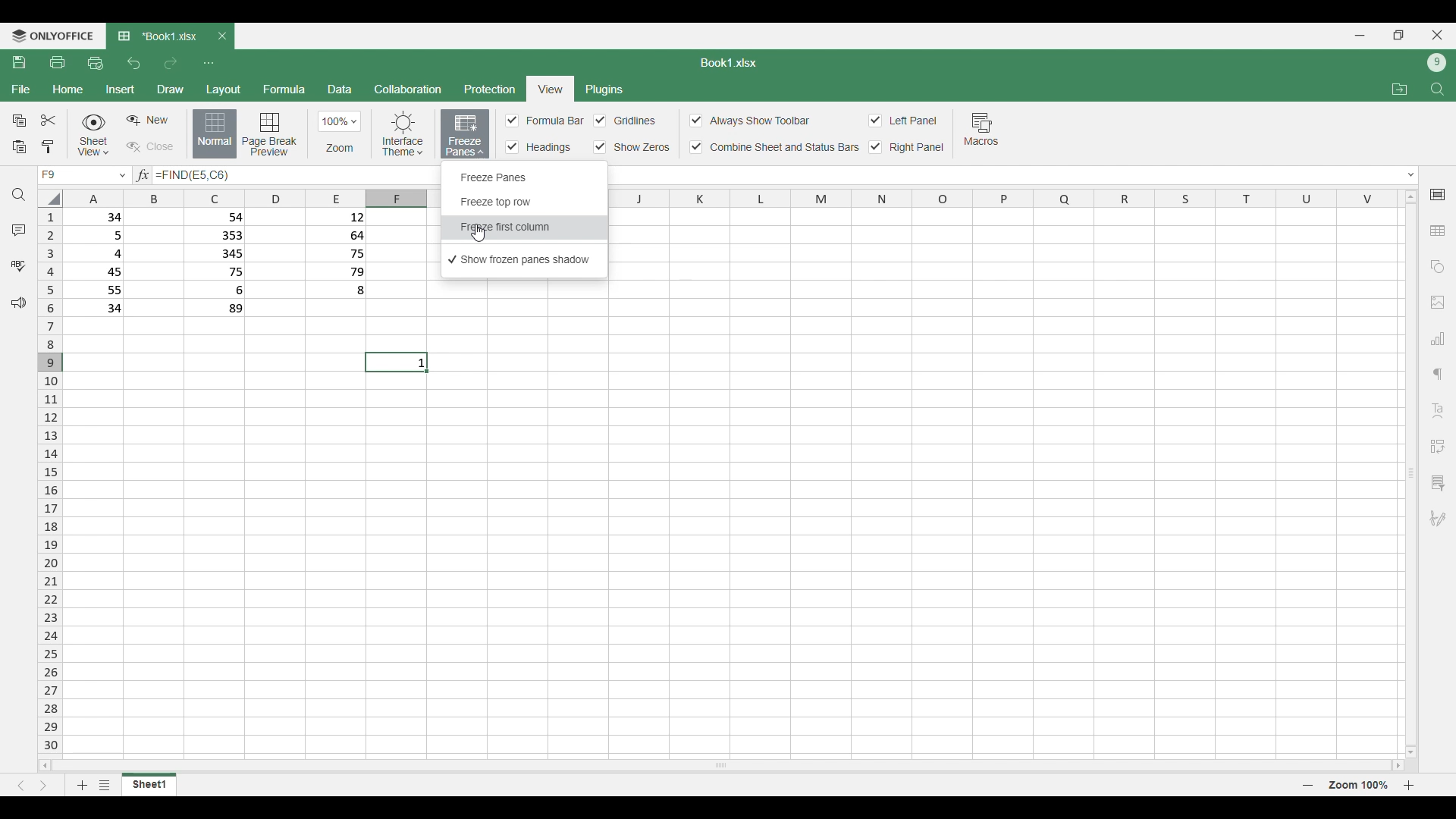  Describe the element at coordinates (525, 177) in the screenshot. I see `Freeze panes` at that location.